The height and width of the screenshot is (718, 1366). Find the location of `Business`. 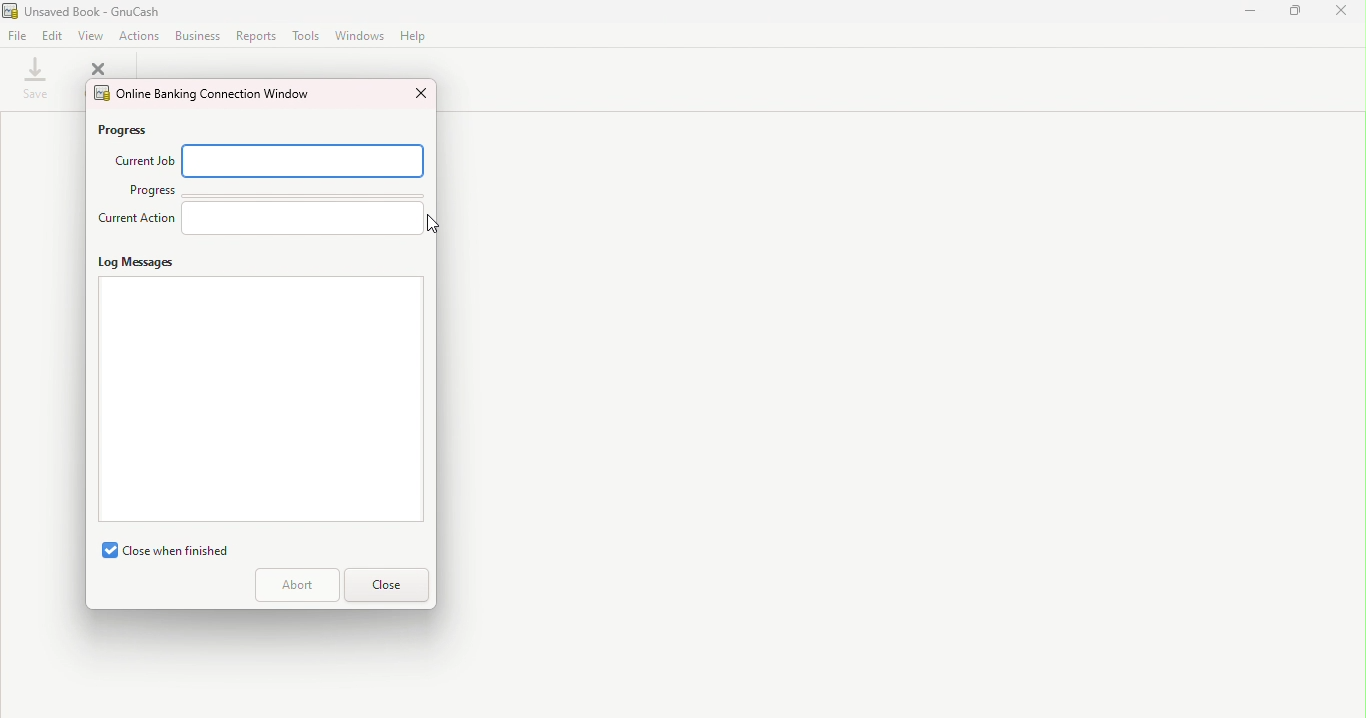

Business is located at coordinates (198, 35).